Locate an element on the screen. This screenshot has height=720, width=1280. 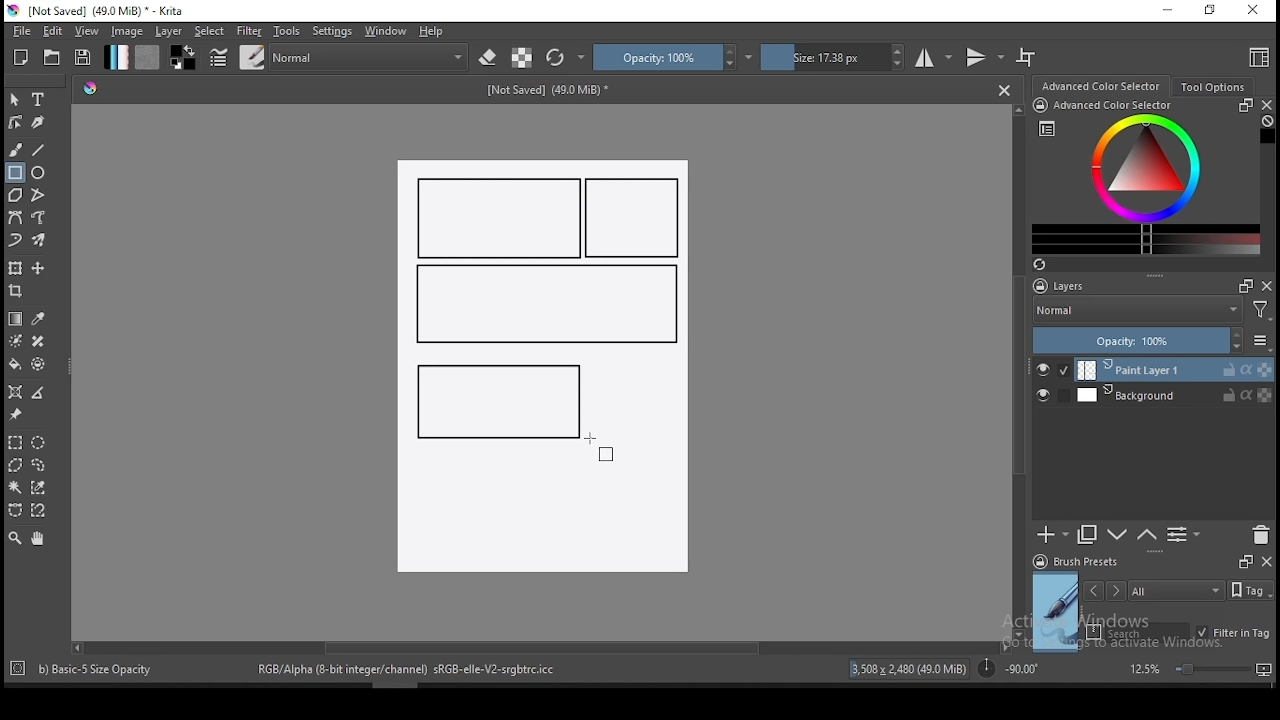
similar color selection tool is located at coordinates (41, 487).